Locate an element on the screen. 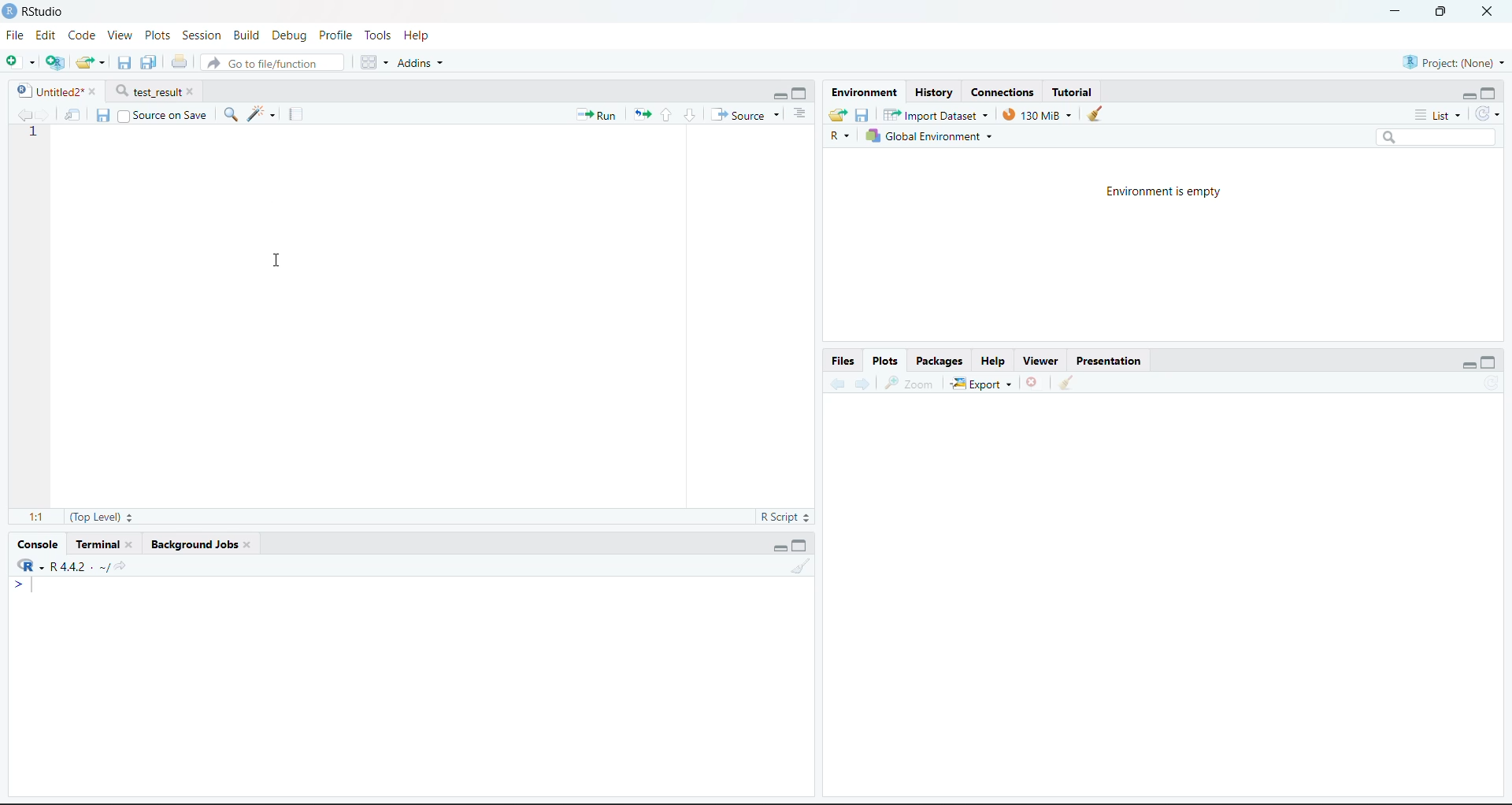 Image resolution: width=1512 pixels, height=805 pixels. Minimize is located at coordinates (1466, 362).